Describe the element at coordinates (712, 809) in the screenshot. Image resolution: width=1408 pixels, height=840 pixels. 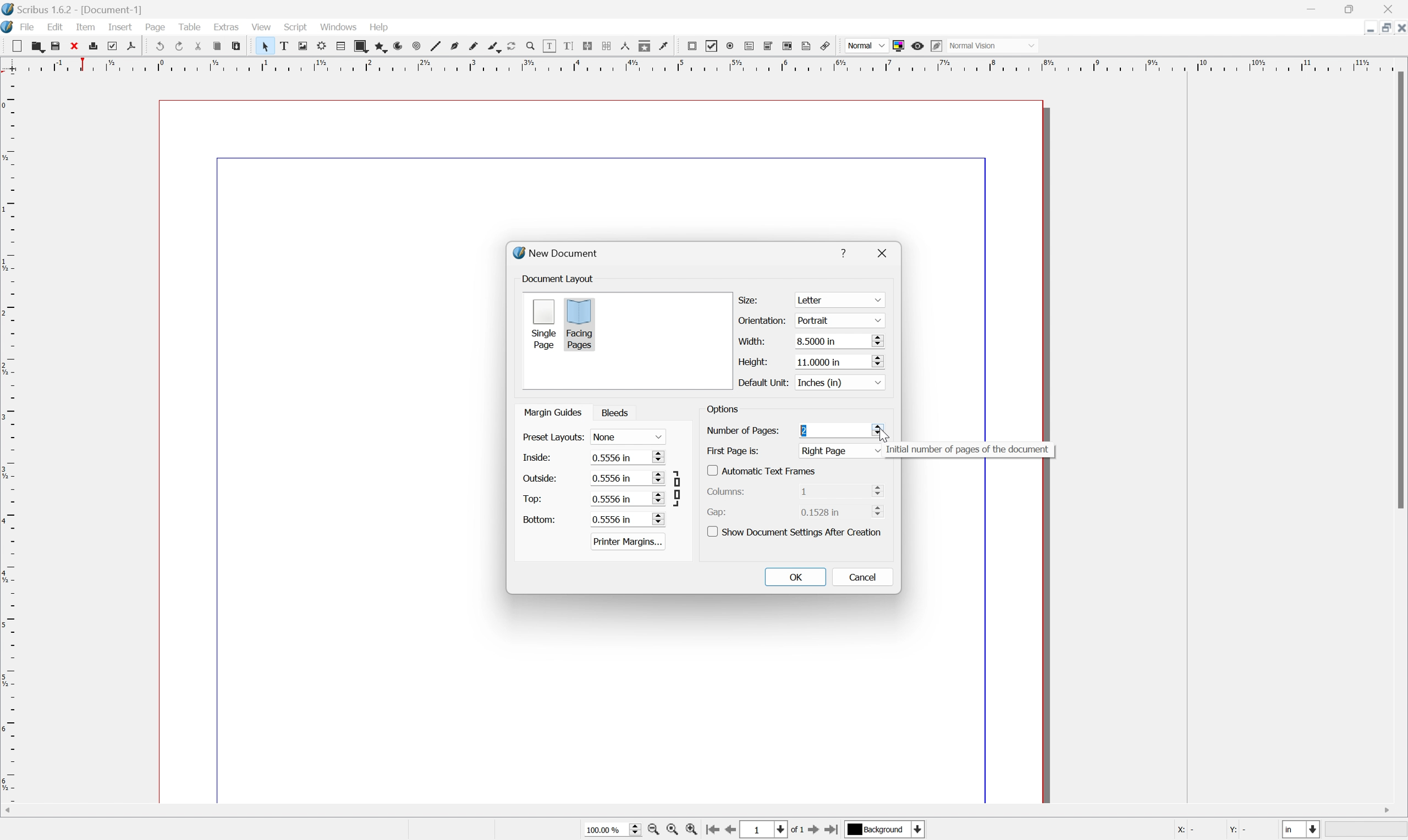
I see `Scroll bar` at that location.